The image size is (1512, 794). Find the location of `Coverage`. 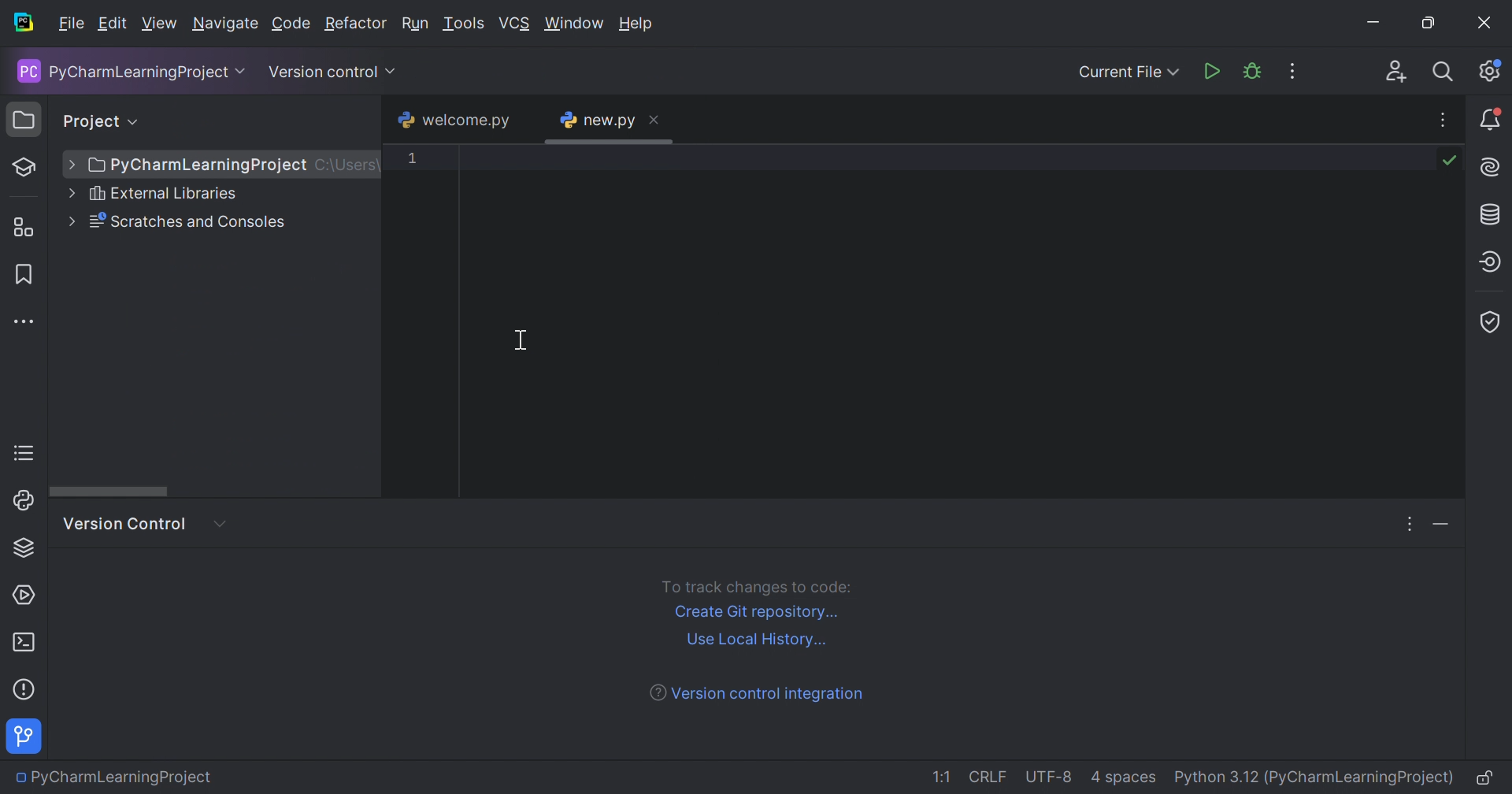

Coverage is located at coordinates (1493, 325).